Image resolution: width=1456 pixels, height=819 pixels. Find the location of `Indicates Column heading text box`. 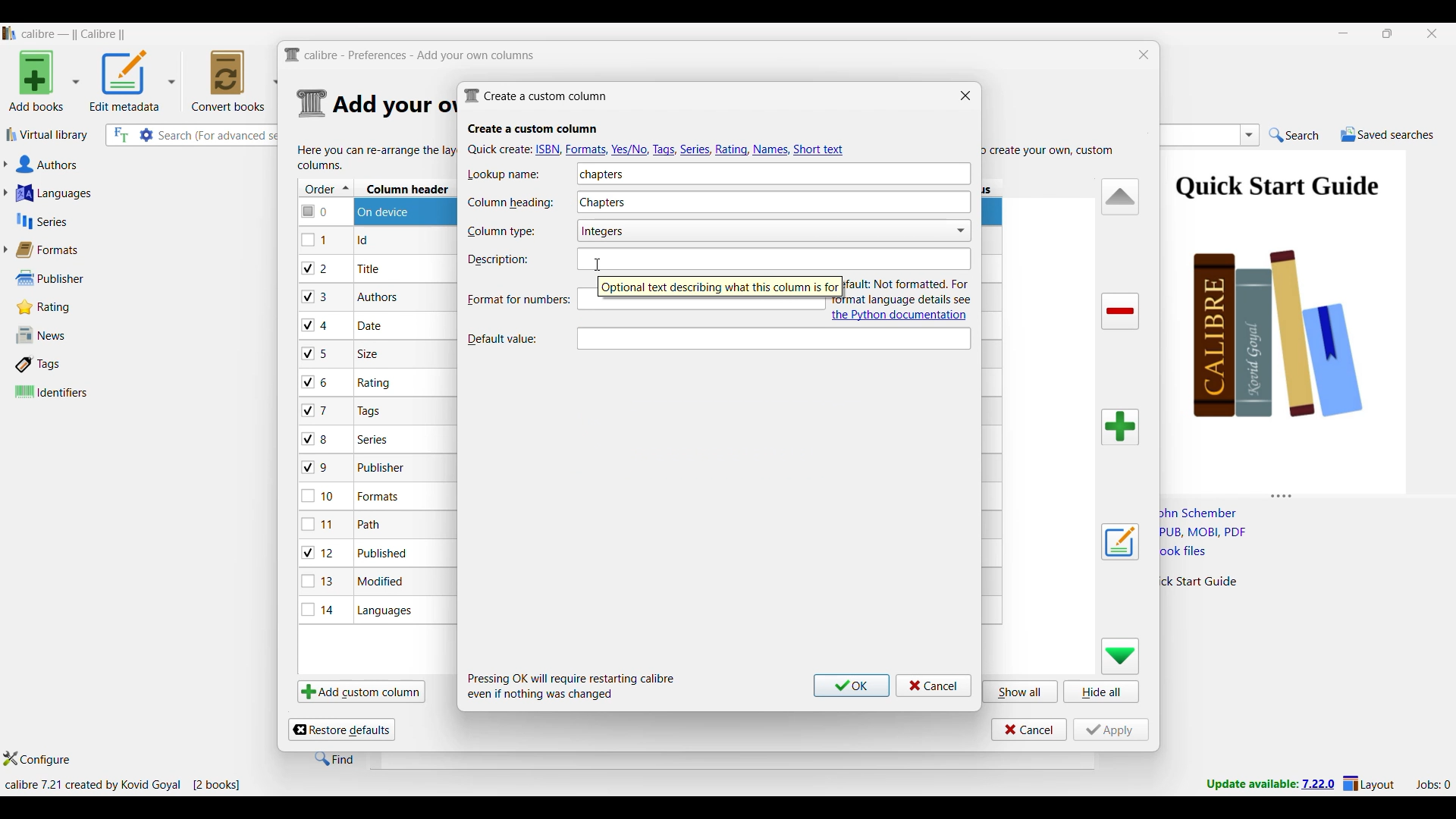

Indicates Column heading text box is located at coordinates (510, 203).